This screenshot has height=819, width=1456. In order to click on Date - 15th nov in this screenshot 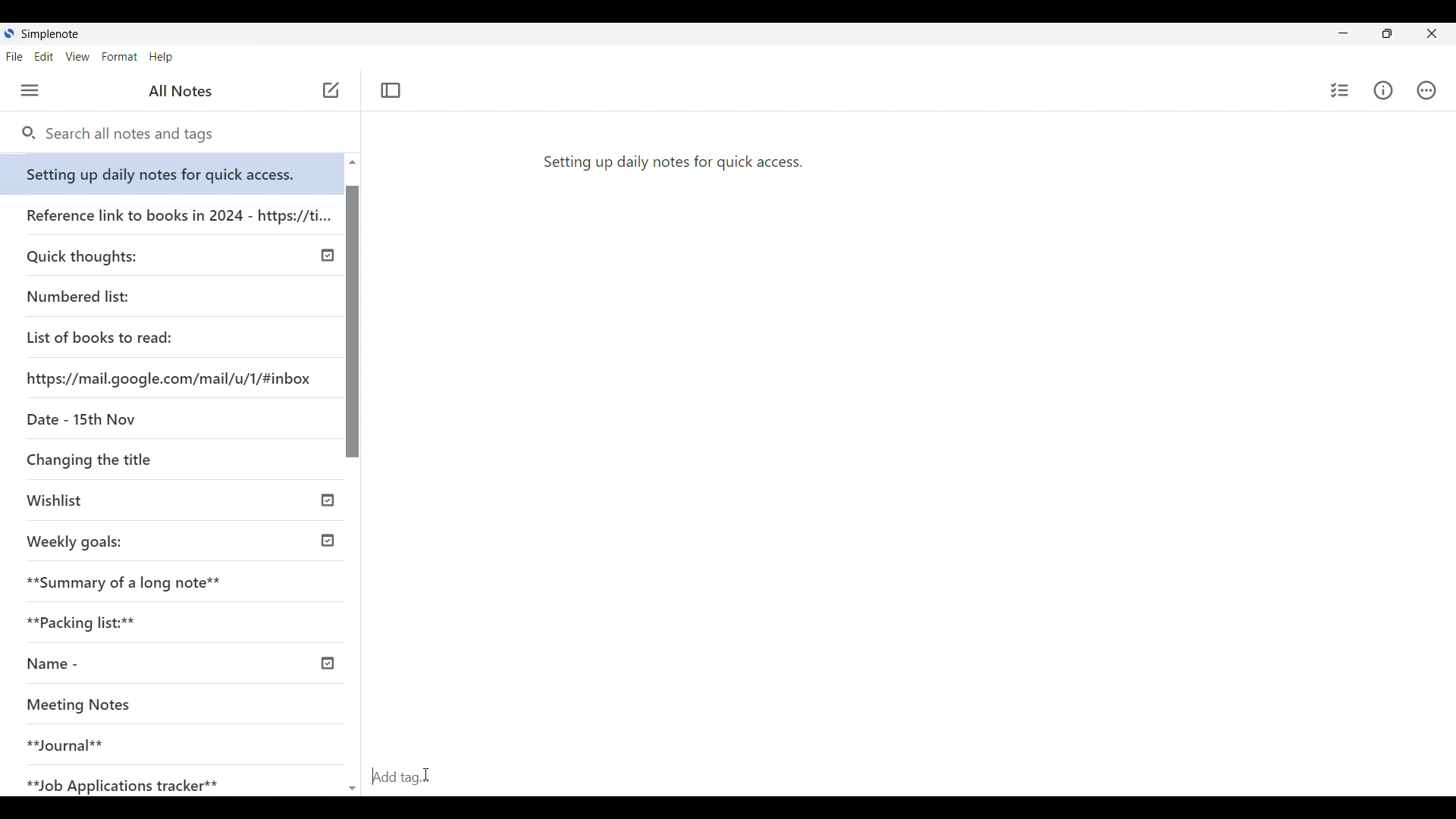, I will do `click(78, 418)`.